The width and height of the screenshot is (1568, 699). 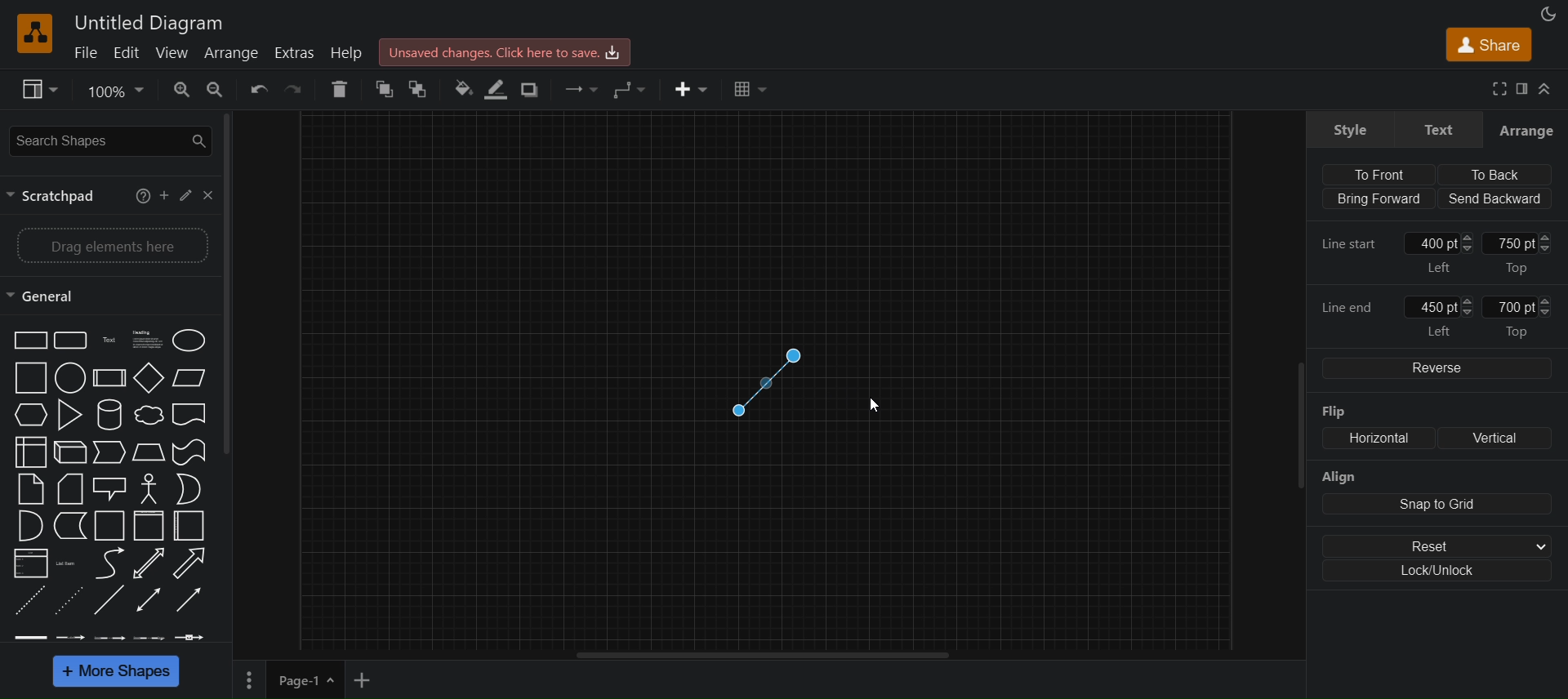 I want to click on fullscreen, so click(x=1502, y=90).